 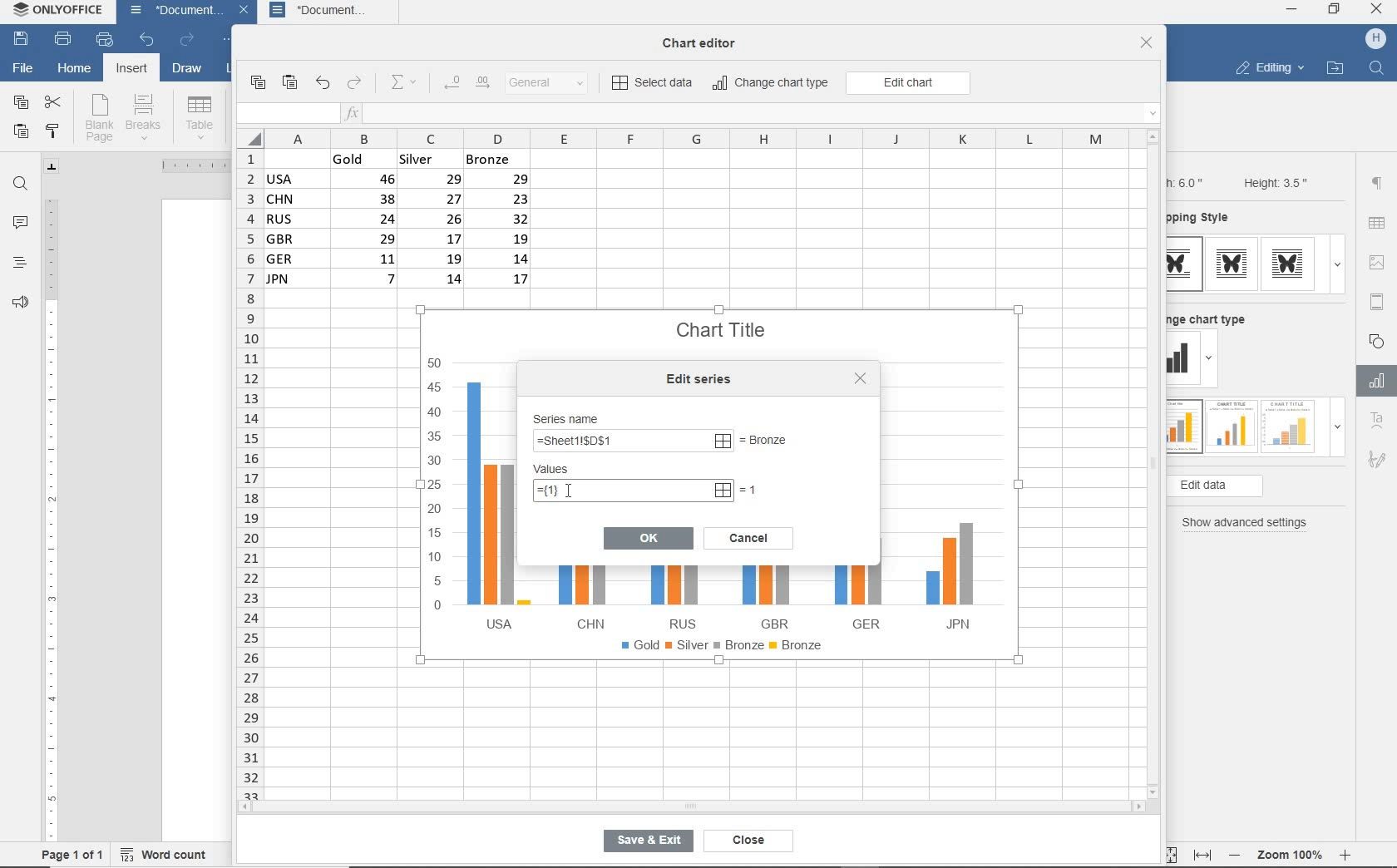 I want to click on headings, so click(x=18, y=264).